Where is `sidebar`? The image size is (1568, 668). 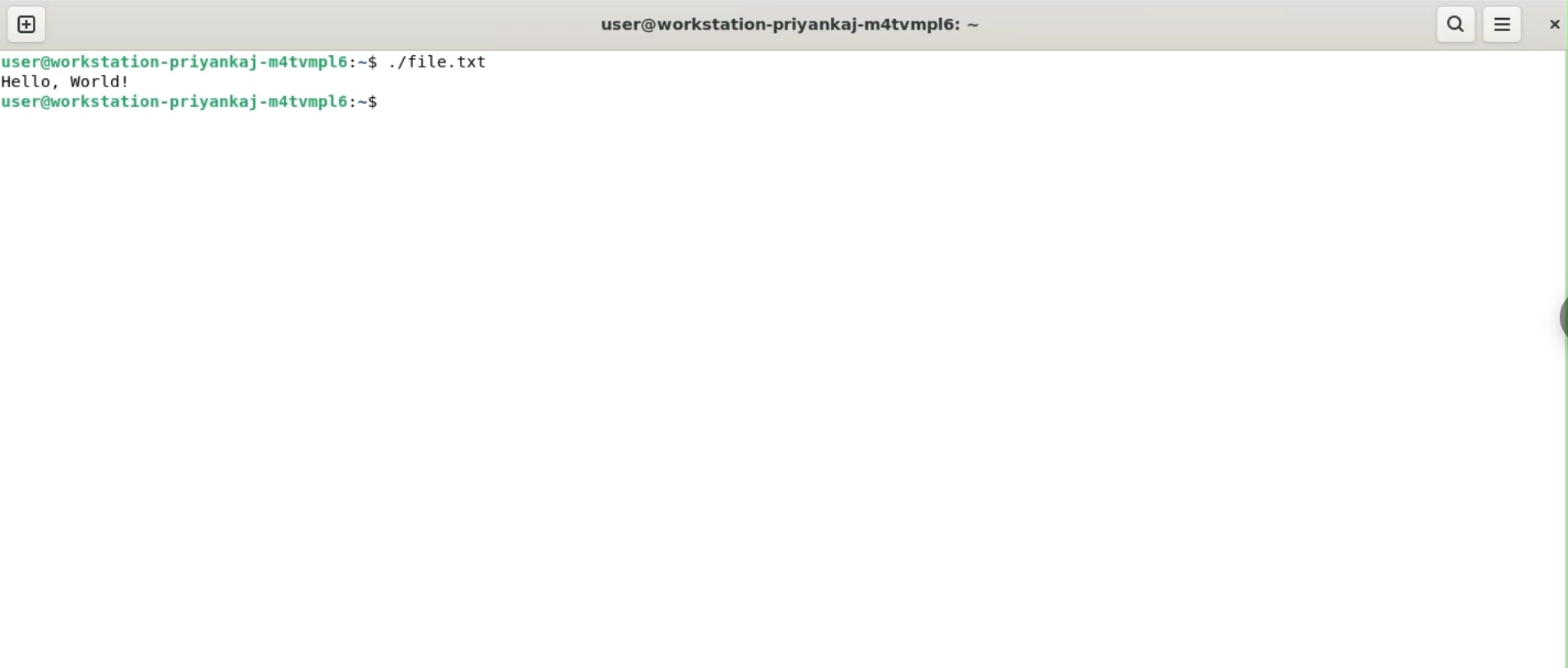
sidebar is located at coordinates (1560, 314).